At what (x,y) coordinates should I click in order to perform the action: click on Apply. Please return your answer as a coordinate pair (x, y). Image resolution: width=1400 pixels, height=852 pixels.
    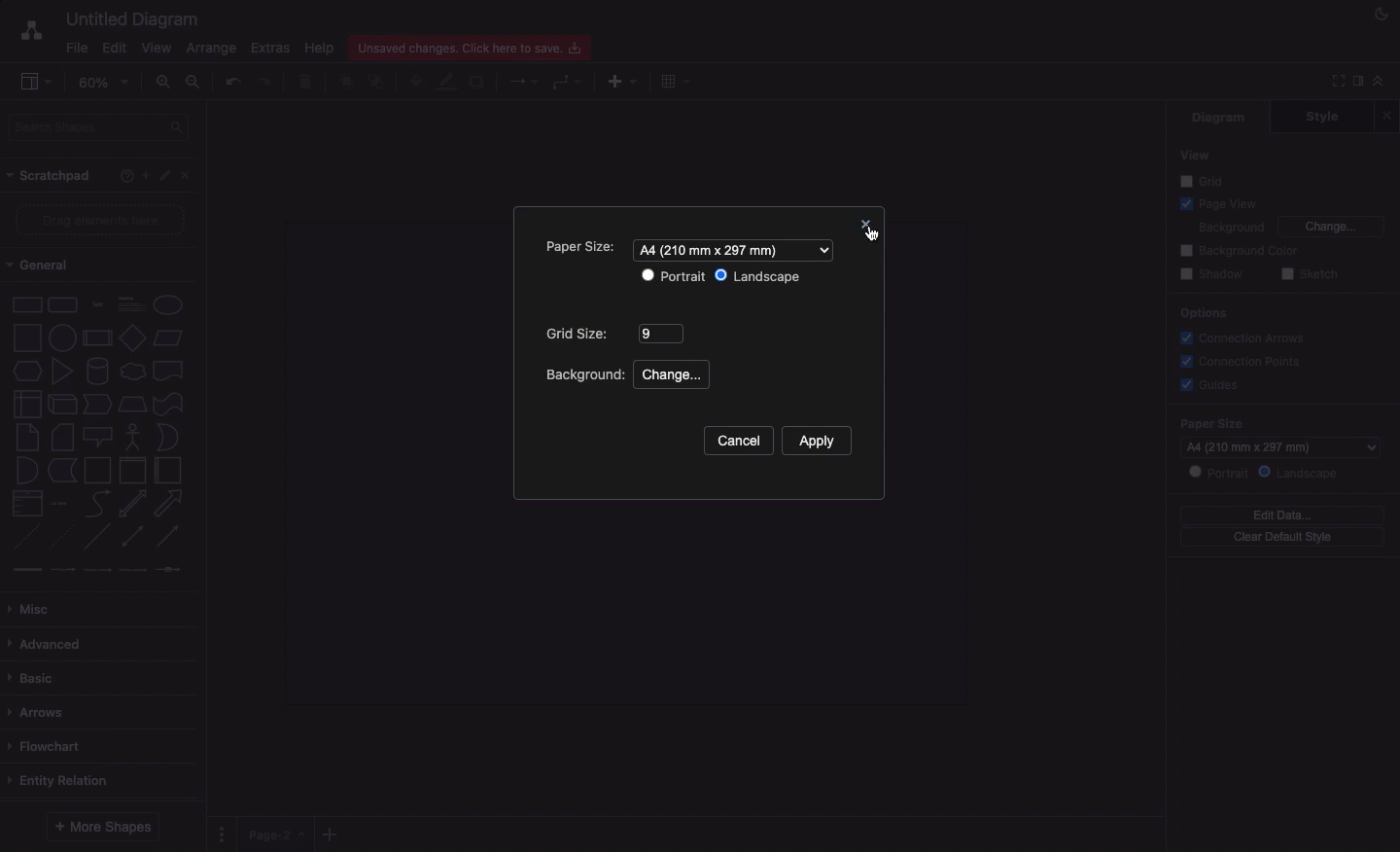
    Looking at the image, I should click on (818, 443).